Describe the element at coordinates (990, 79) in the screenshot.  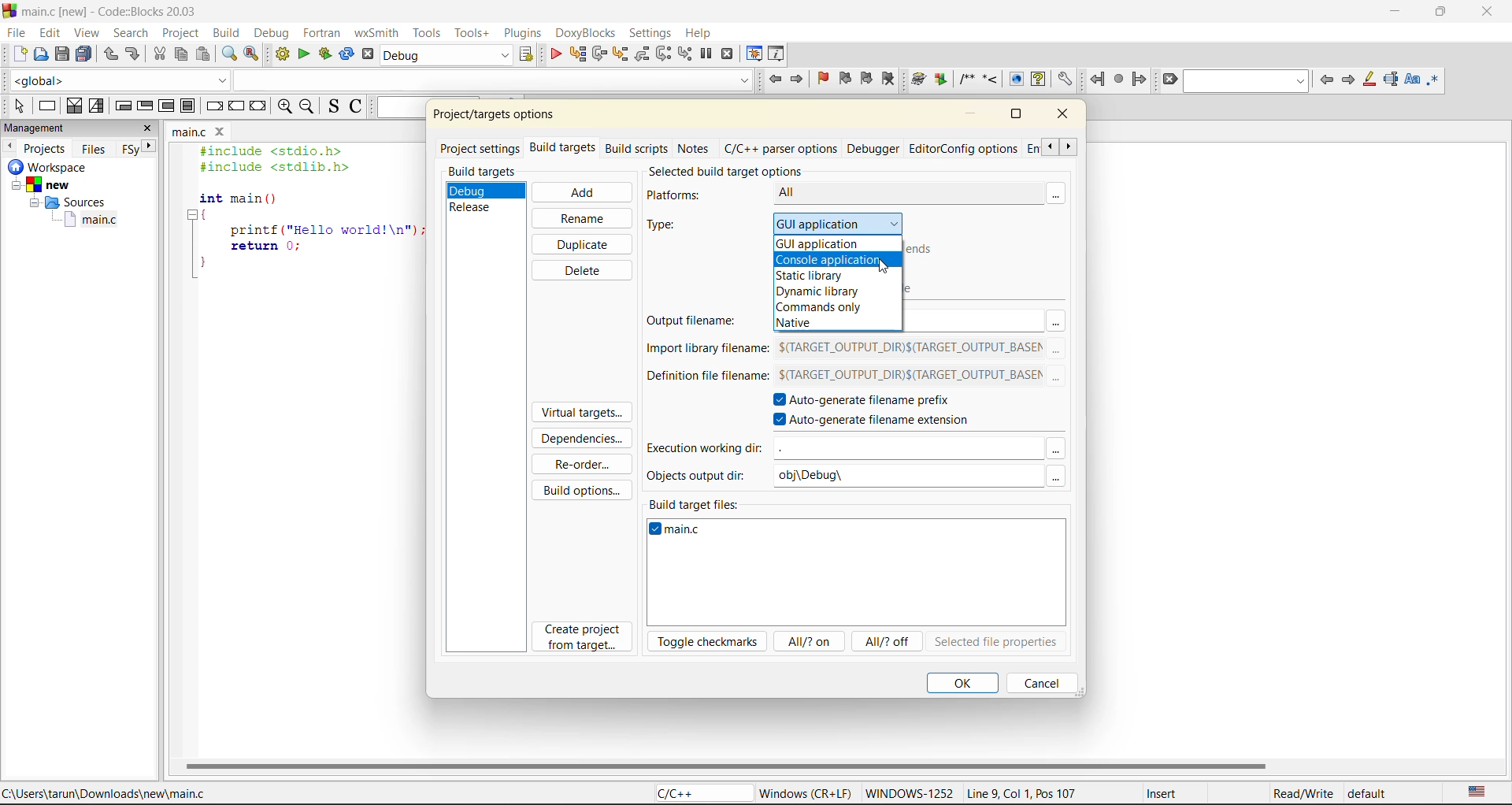
I see `Insert a line comment at the current cursor position` at that location.